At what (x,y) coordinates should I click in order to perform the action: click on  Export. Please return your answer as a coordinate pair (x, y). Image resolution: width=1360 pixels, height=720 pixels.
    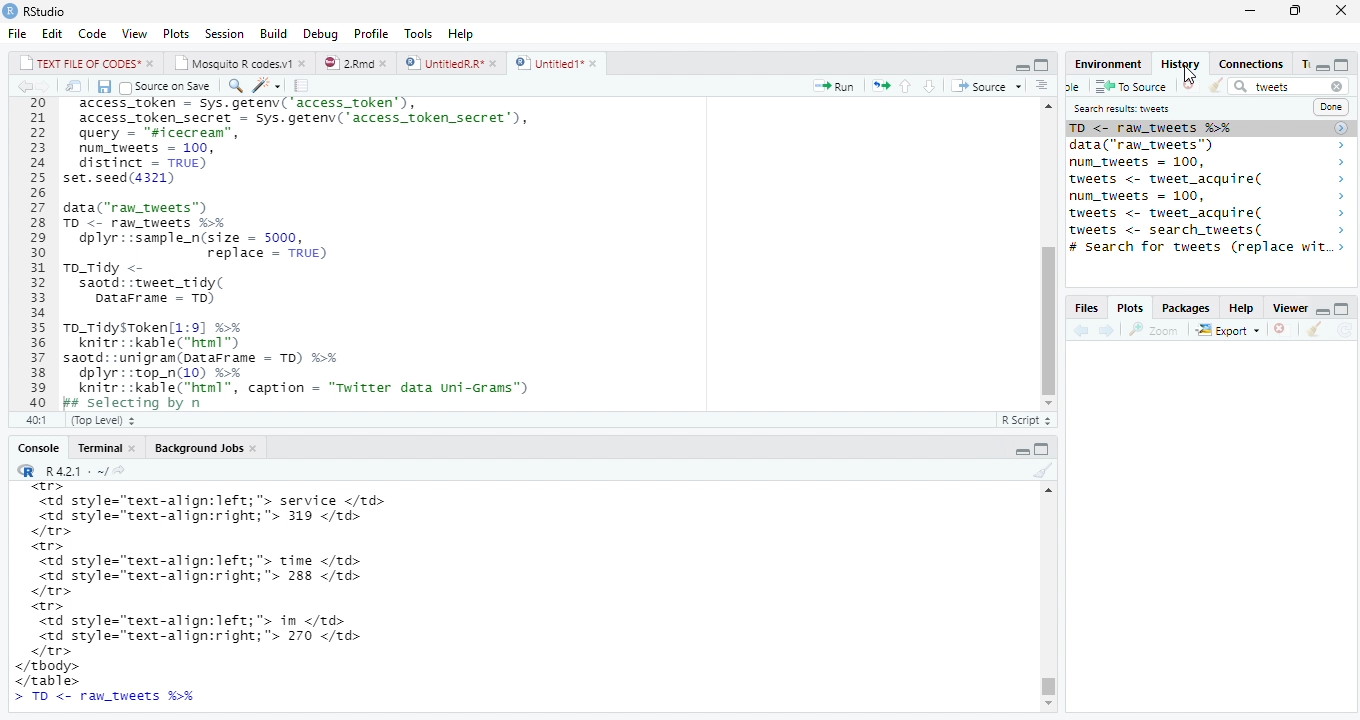
    Looking at the image, I should click on (1231, 331).